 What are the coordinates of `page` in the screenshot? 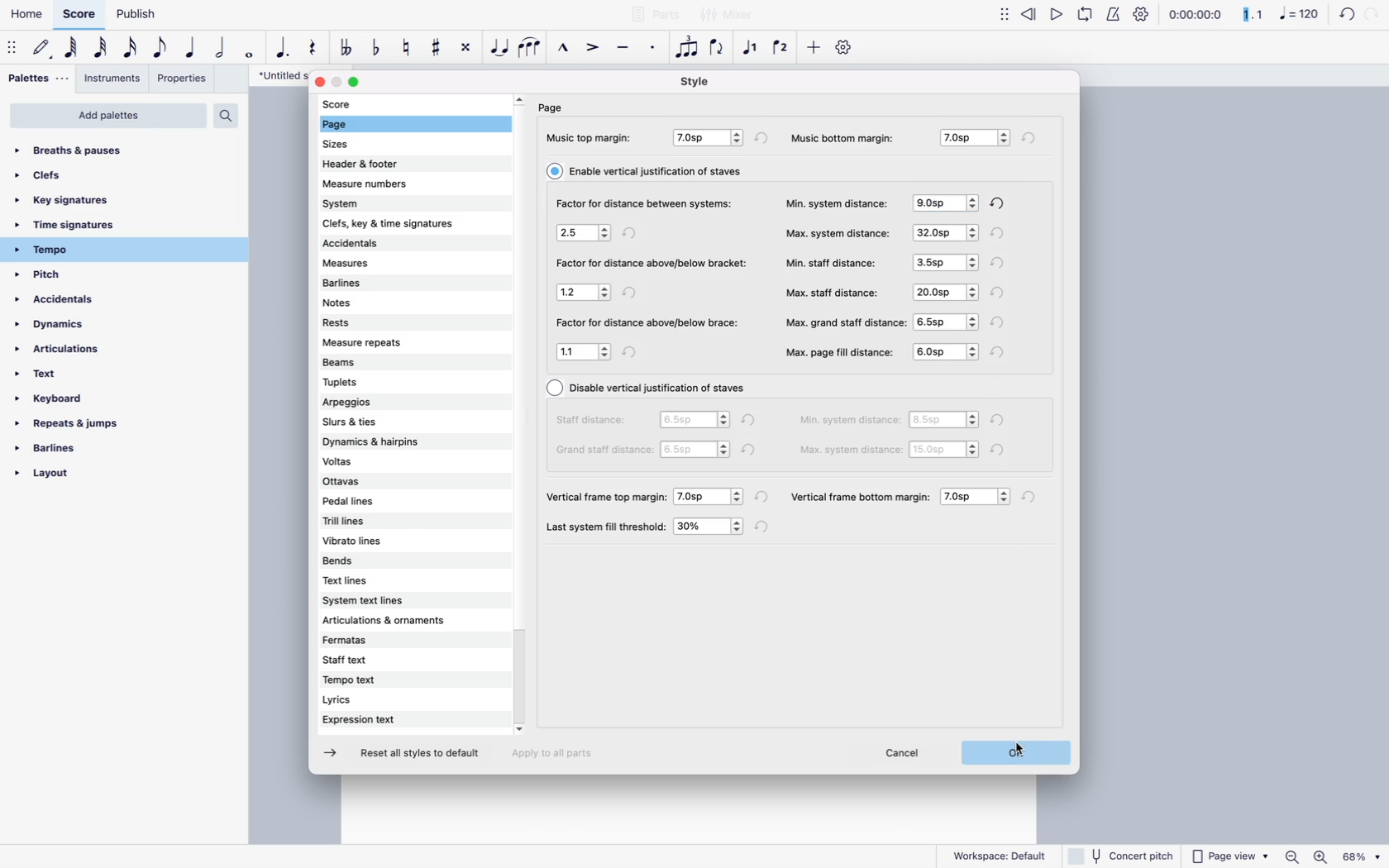 It's located at (357, 126).